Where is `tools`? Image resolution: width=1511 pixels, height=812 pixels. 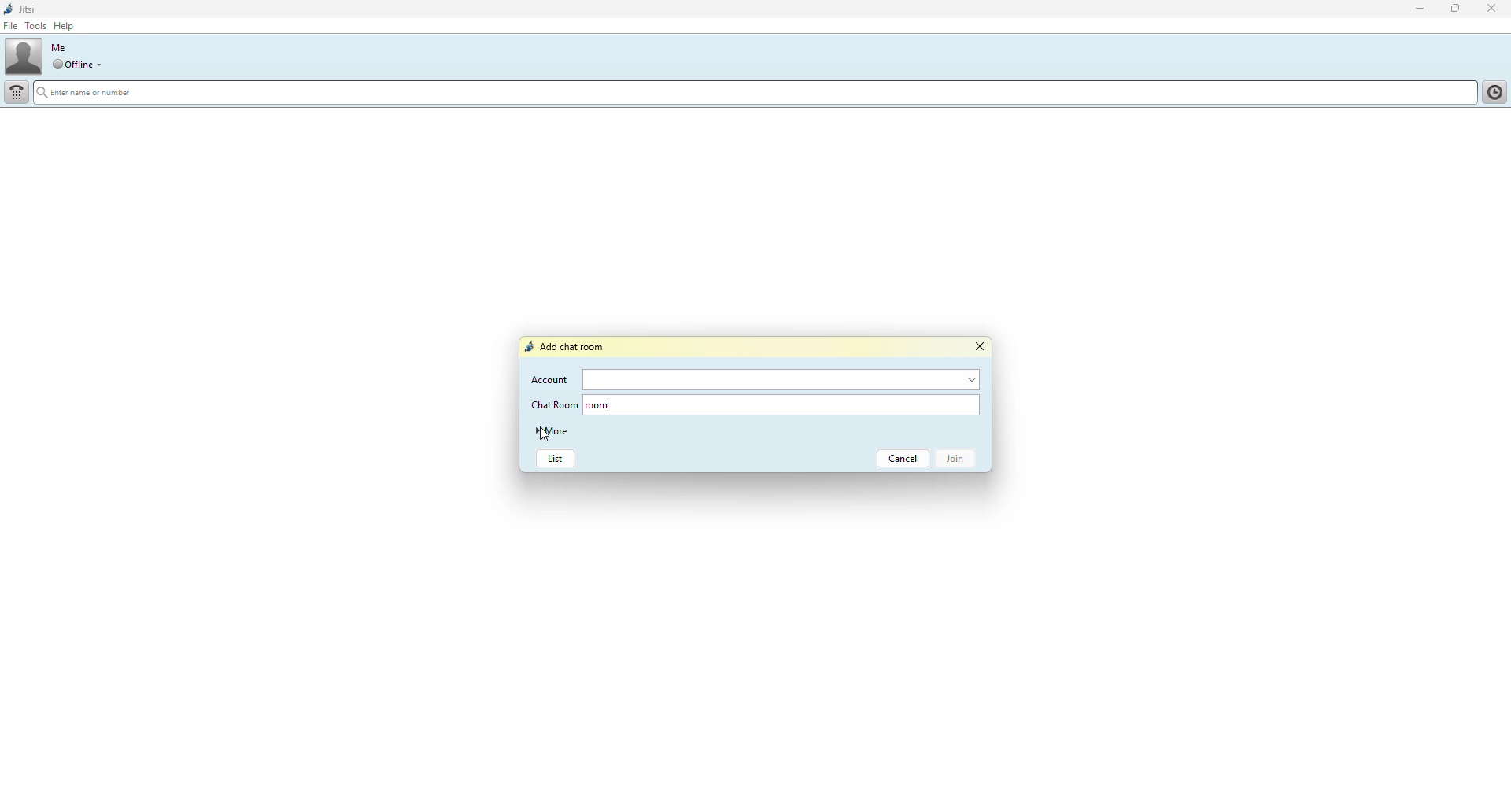 tools is located at coordinates (35, 26).